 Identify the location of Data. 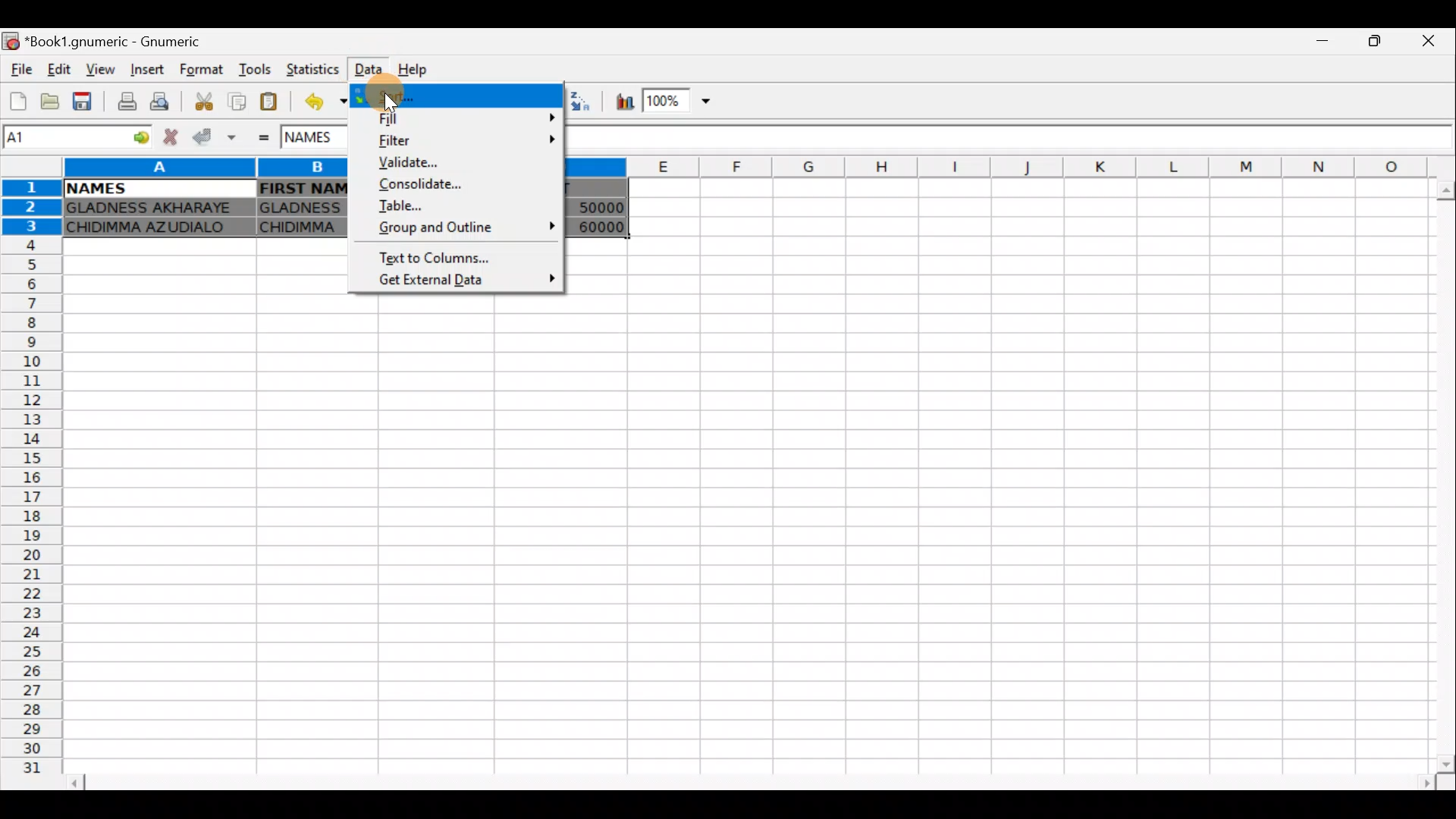
(366, 67).